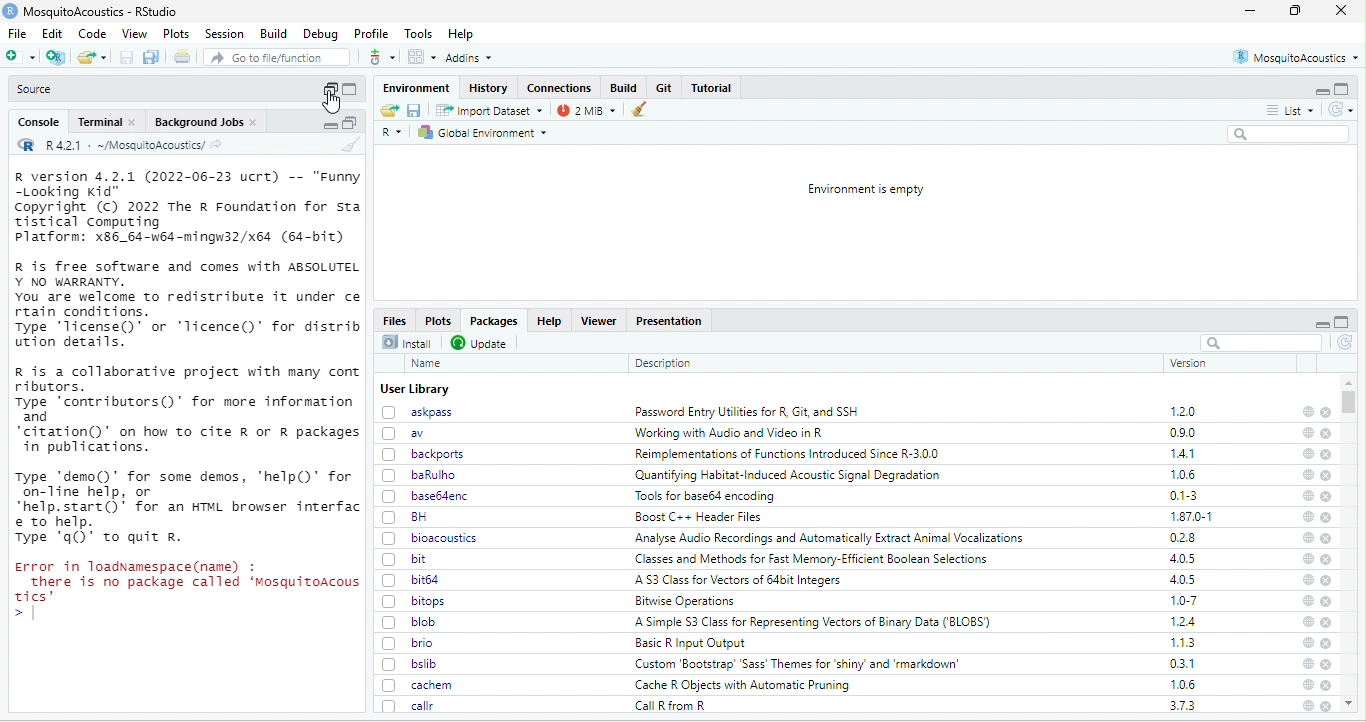 This screenshot has height=722, width=1366. Describe the element at coordinates (1325, 518) in the screenshot. I see `close` at that location.